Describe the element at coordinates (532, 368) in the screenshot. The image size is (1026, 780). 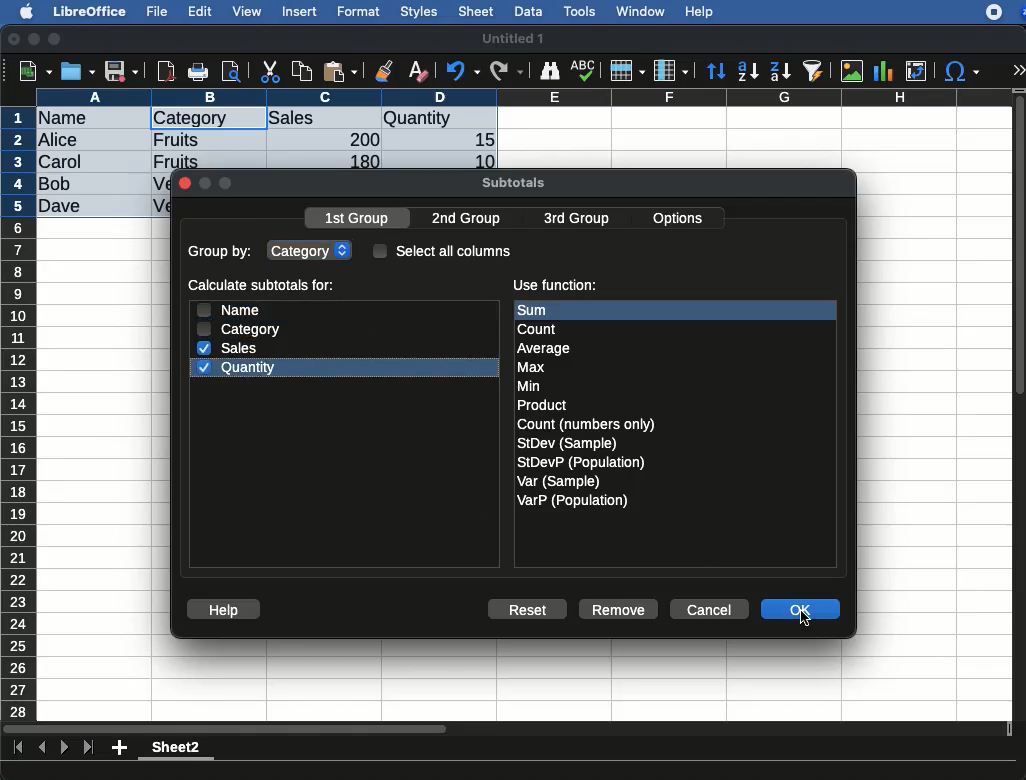
I see `Max` at that location.